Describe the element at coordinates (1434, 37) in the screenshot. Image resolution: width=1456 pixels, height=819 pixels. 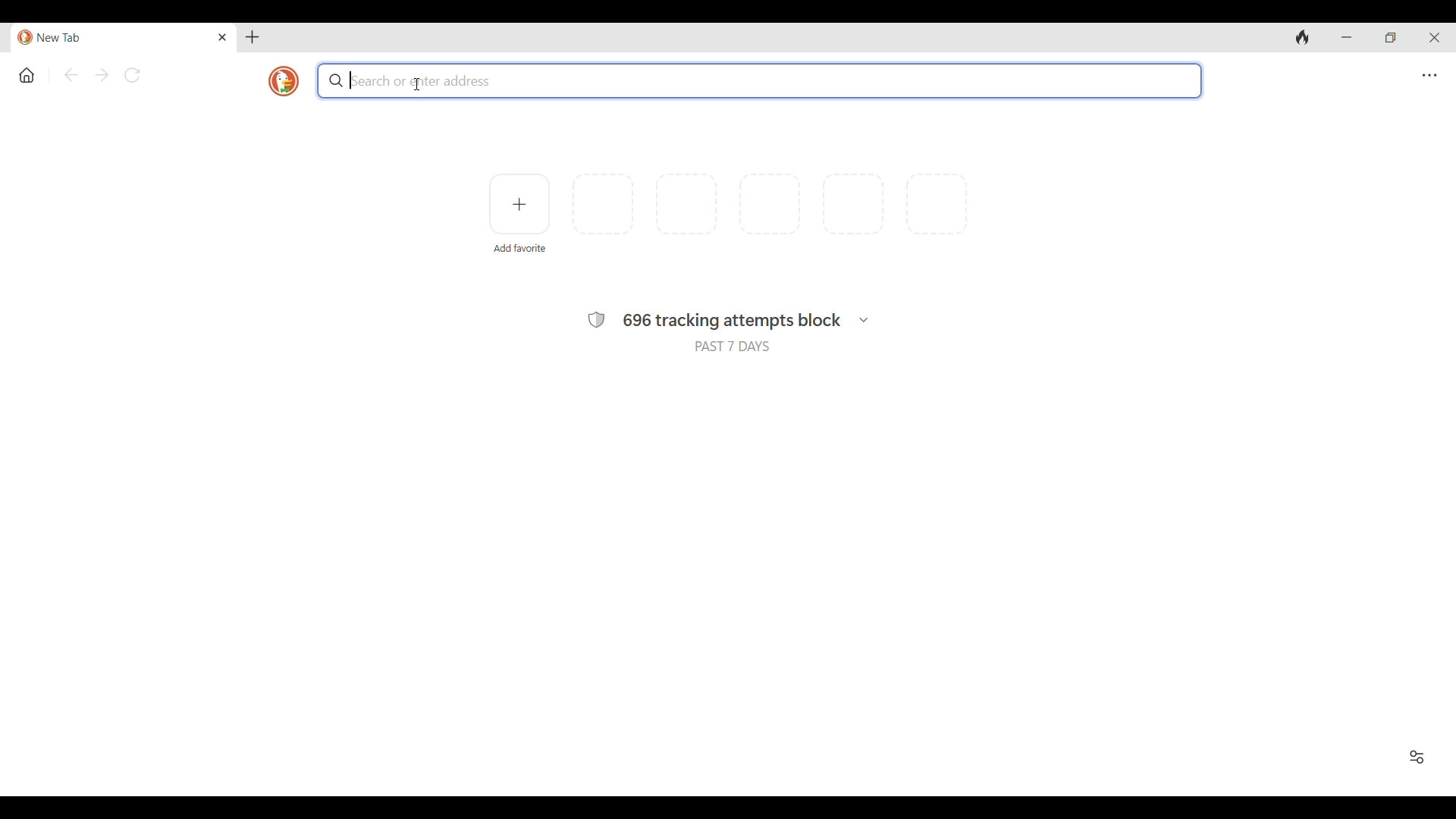
I see `Close interface` at that location.